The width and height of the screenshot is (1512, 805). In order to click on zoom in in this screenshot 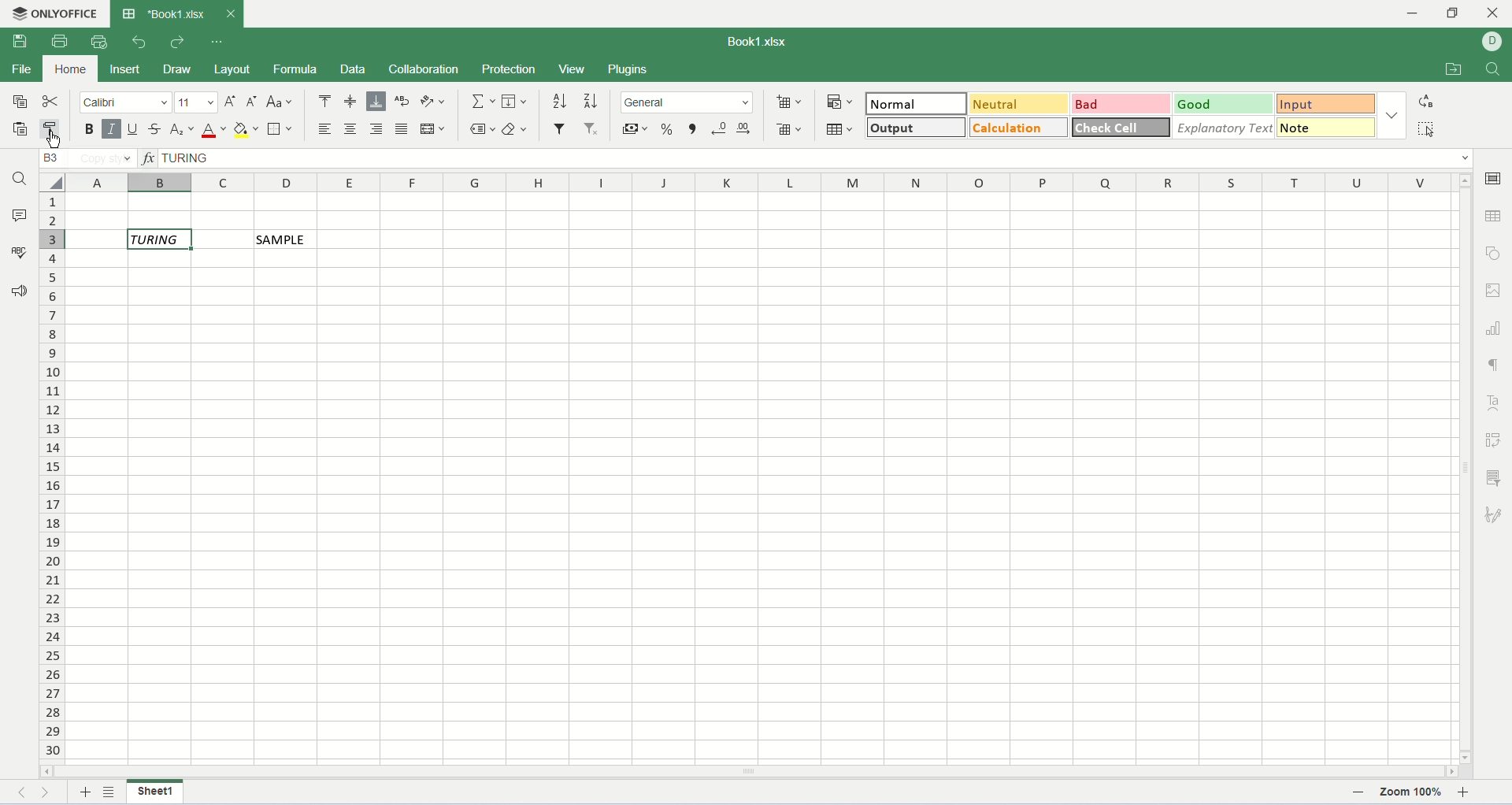, I will do `click(1466, 795)`.